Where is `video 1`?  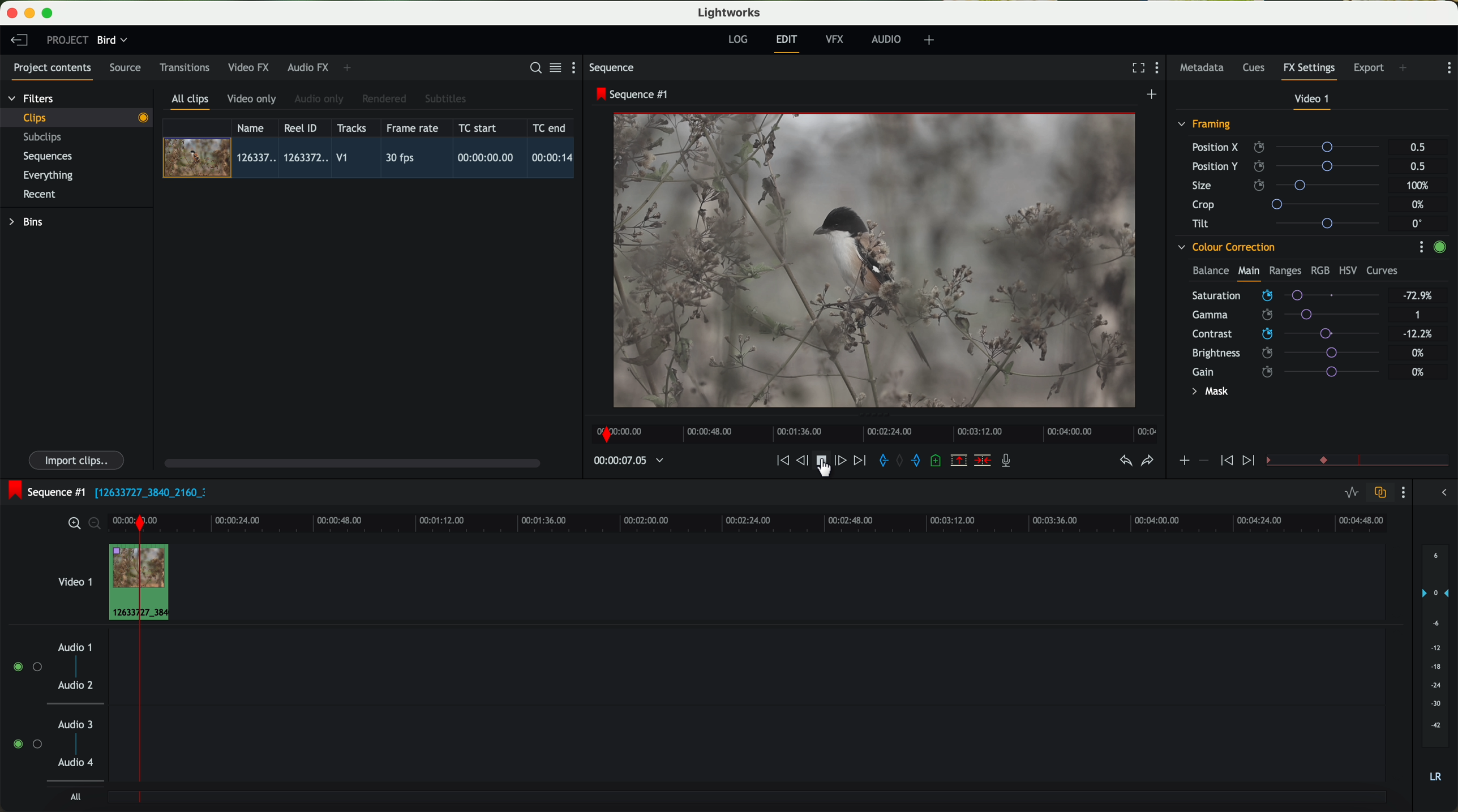 video 1 is located at coordinates (1313, 101).